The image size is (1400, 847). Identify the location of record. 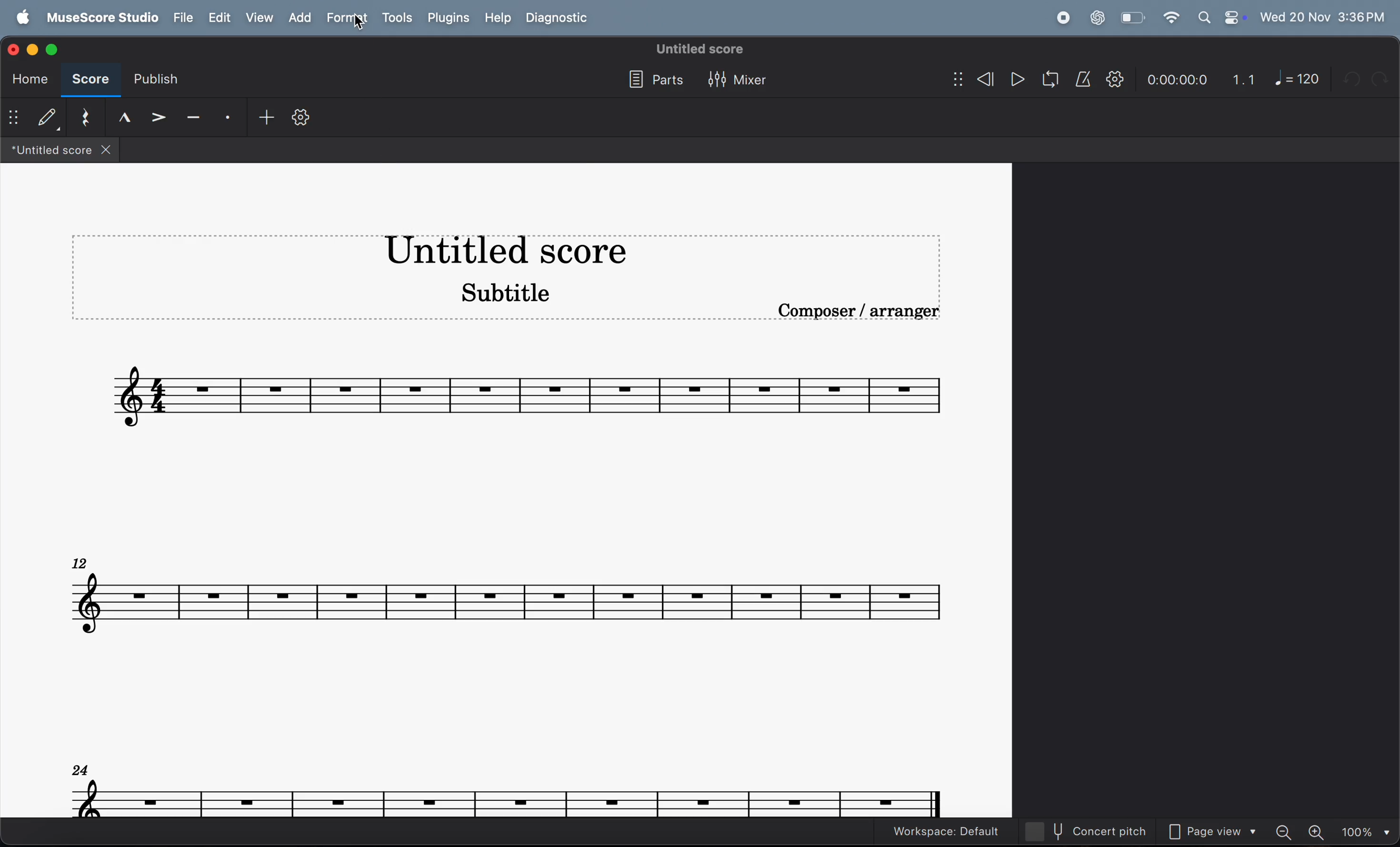
(1062, 18).